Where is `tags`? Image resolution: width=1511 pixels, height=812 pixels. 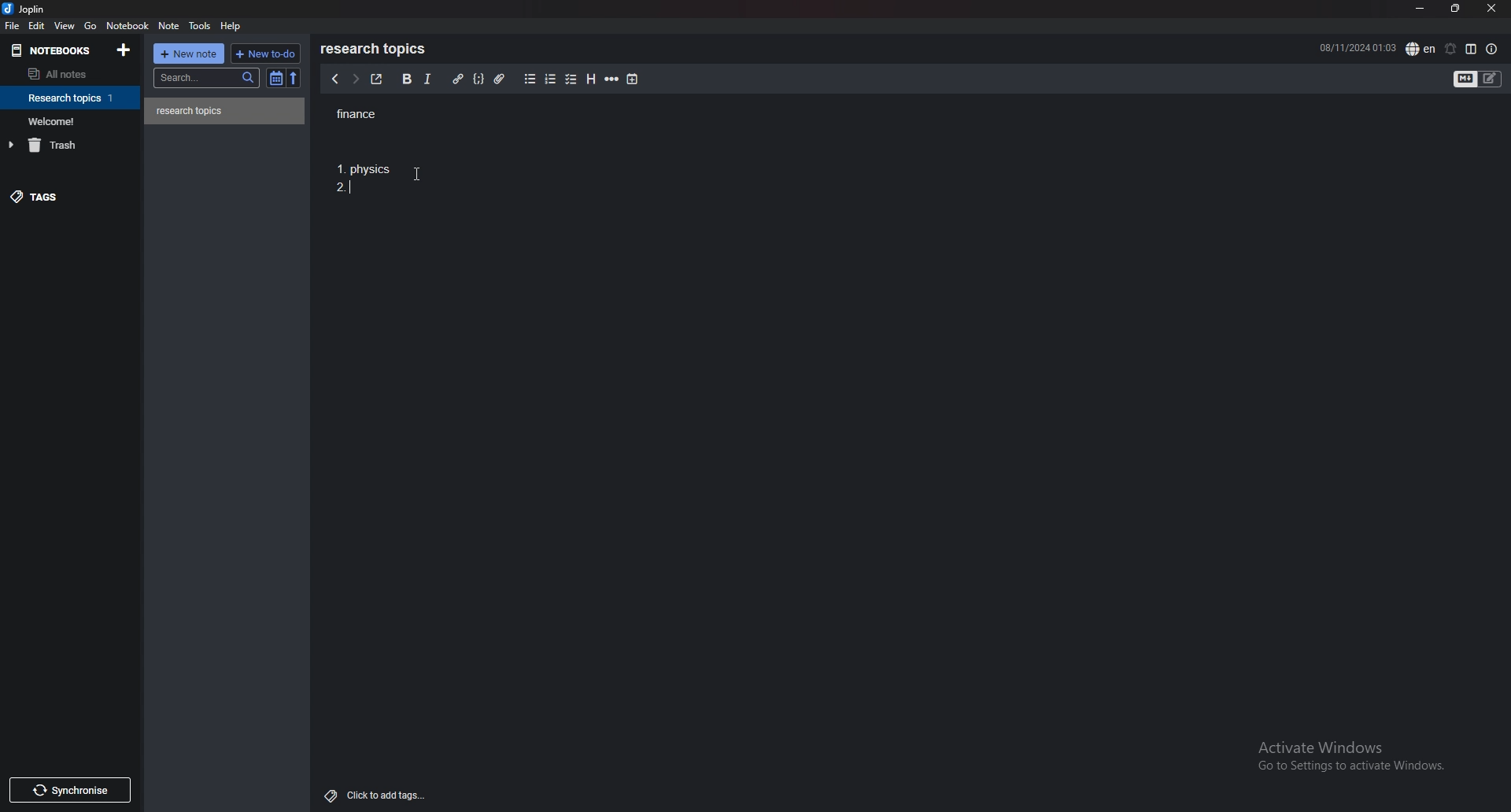 tags is located at coordinates (67, 200).